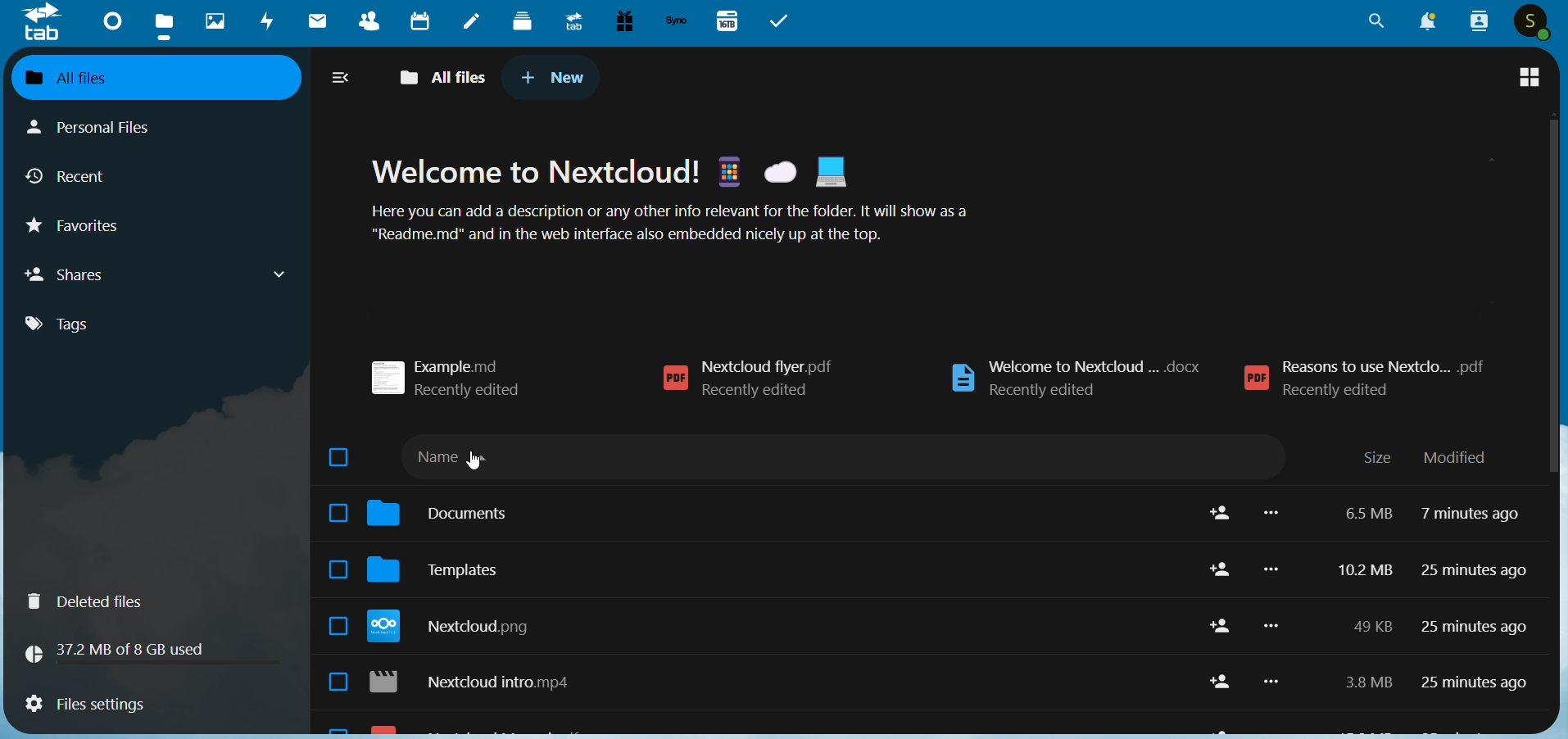  Describe the element at coordinates (670, 197) in the screenshot. I see `Welcome to Nextcloud! & &@ HB
Here you can add a description or any other info relevant for the folder. It will show as a
"Readme.md" and in the web interface also embedded nicely up at the top.` at that location.